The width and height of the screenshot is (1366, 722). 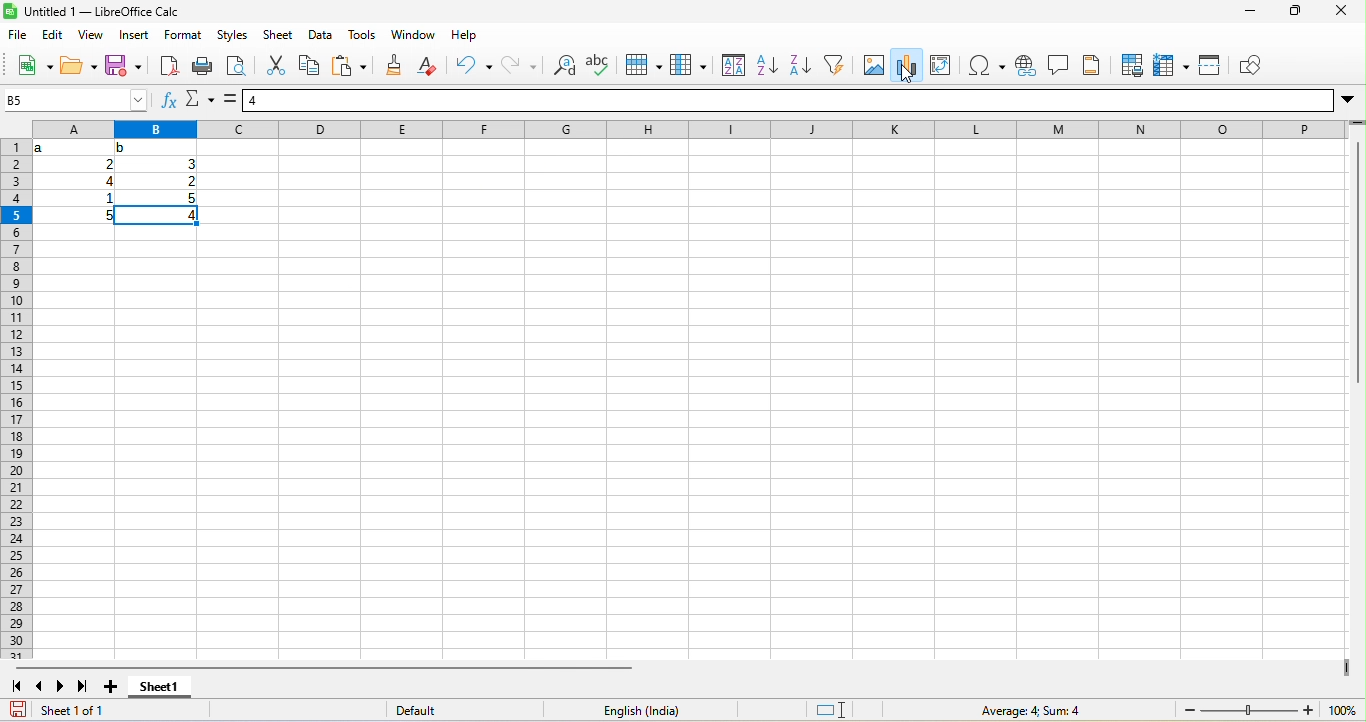 What do you see at coordinates (40, 686) in the screenshot?
I see `previous sheet` at bounding box center [40, 686].